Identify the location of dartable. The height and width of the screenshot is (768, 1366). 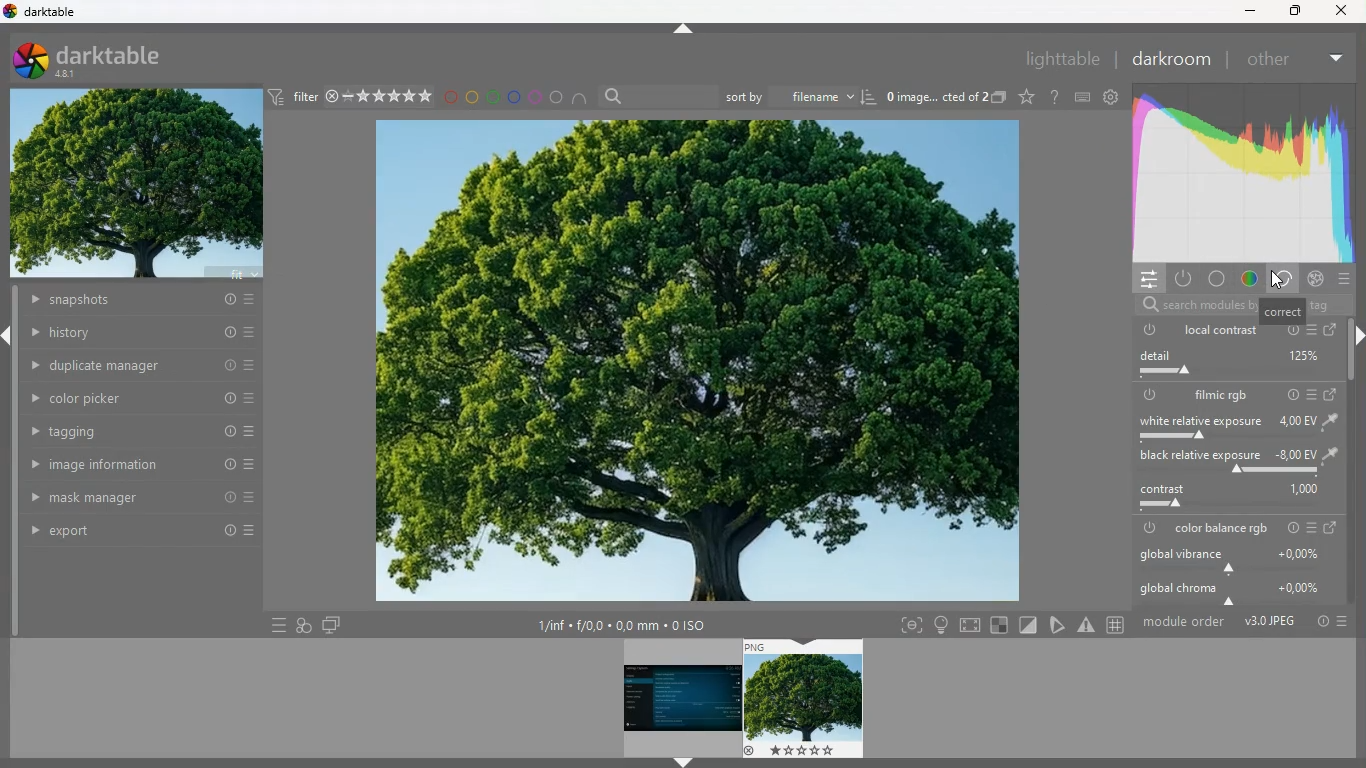
(42, 12).